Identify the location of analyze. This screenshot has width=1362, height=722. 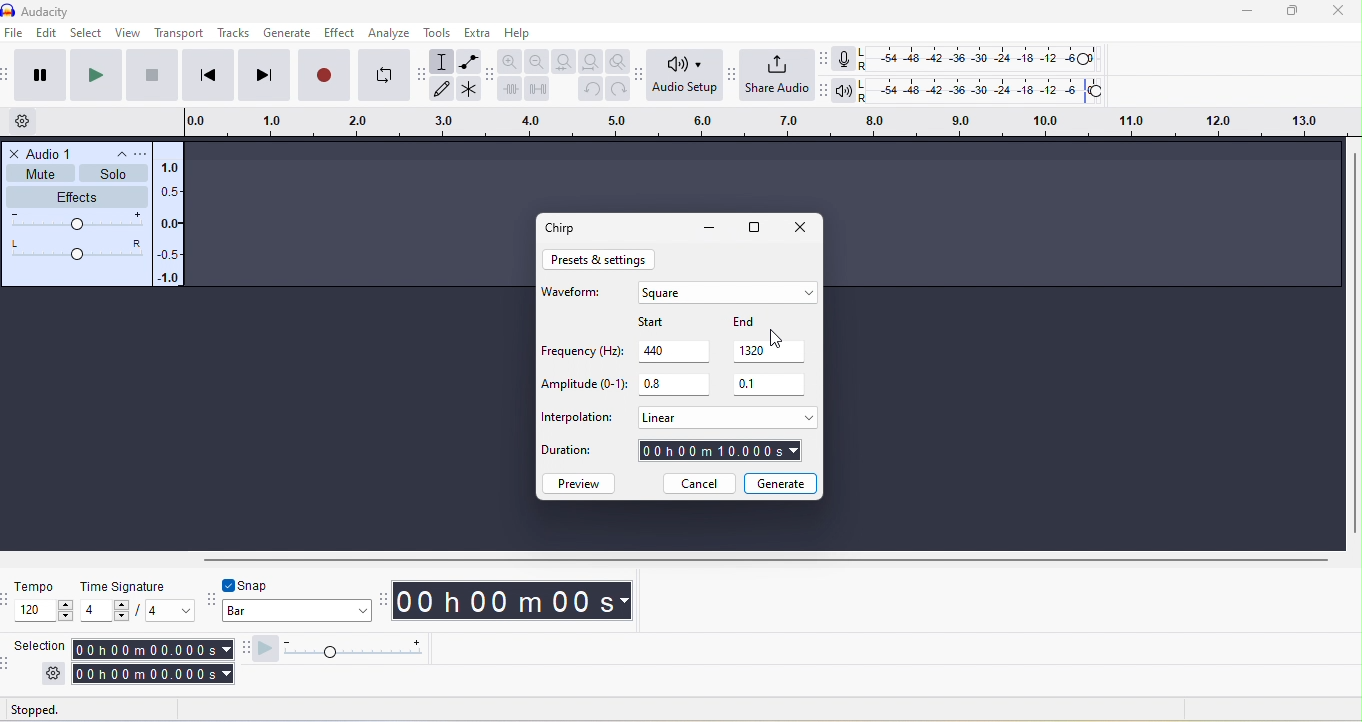
(393, 33).